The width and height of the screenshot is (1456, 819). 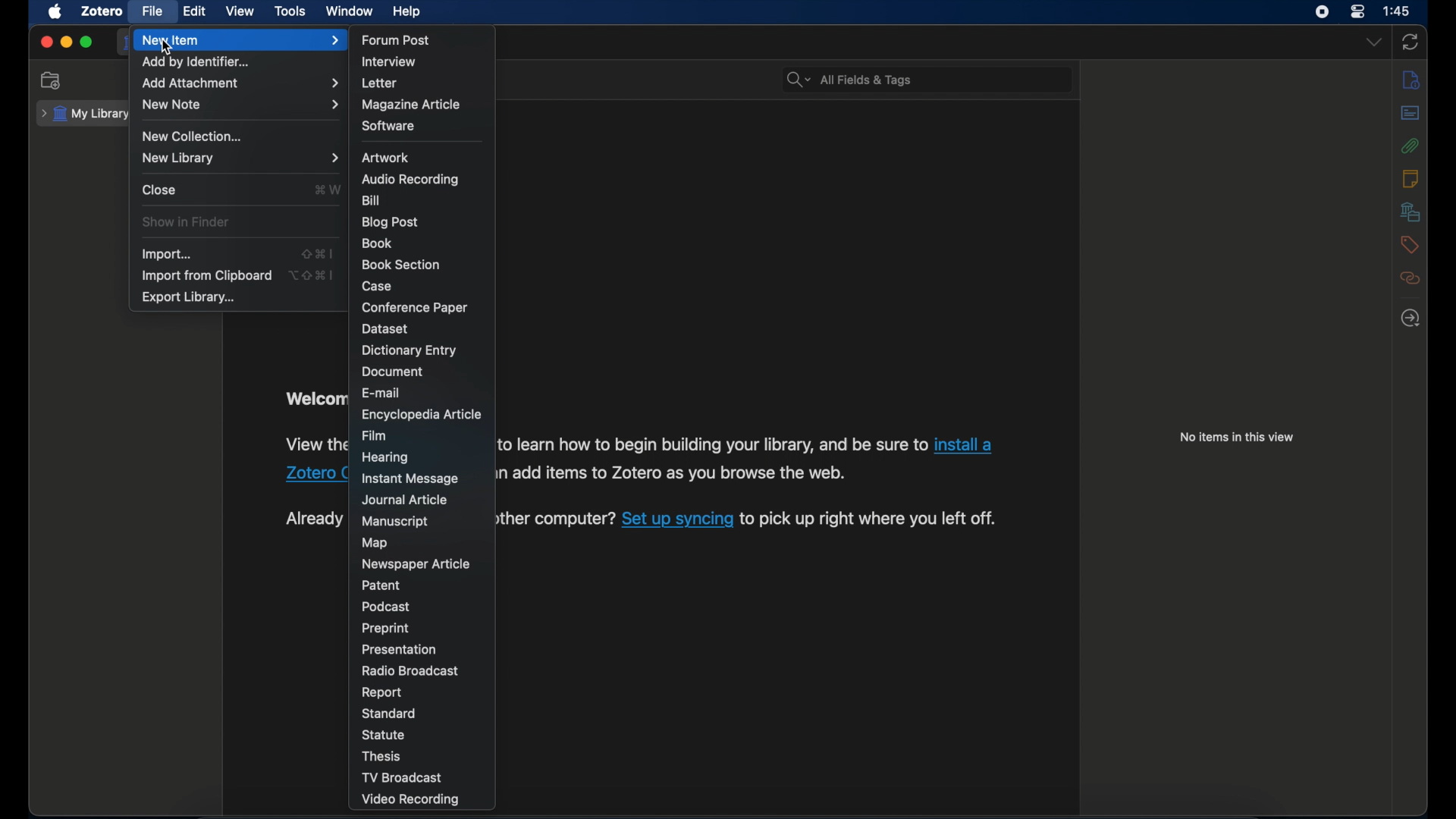 I want to click on show in finder, so click(x=187, y=222).